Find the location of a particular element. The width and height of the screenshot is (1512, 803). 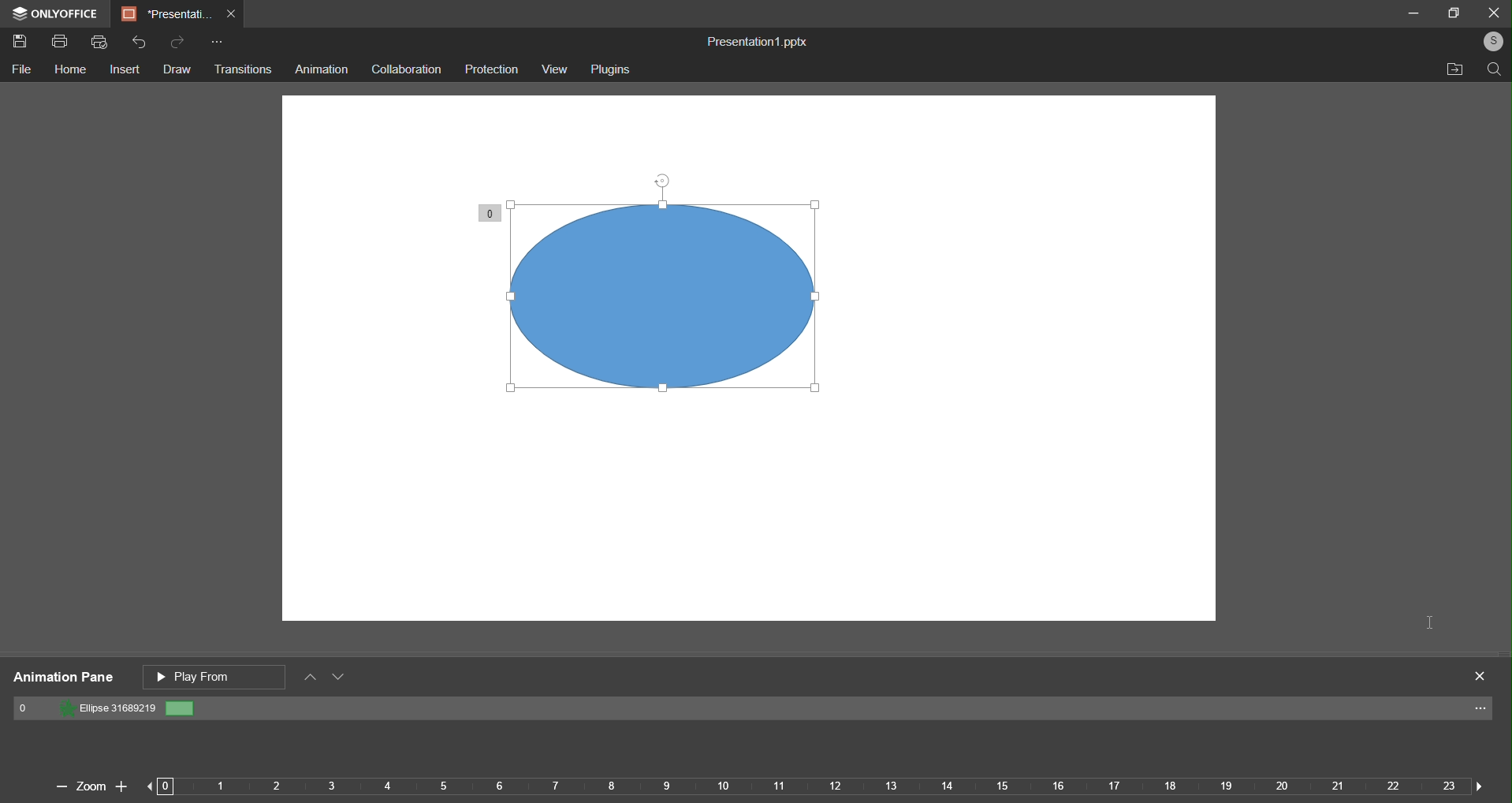

animation is located at coordinates (322, 70).